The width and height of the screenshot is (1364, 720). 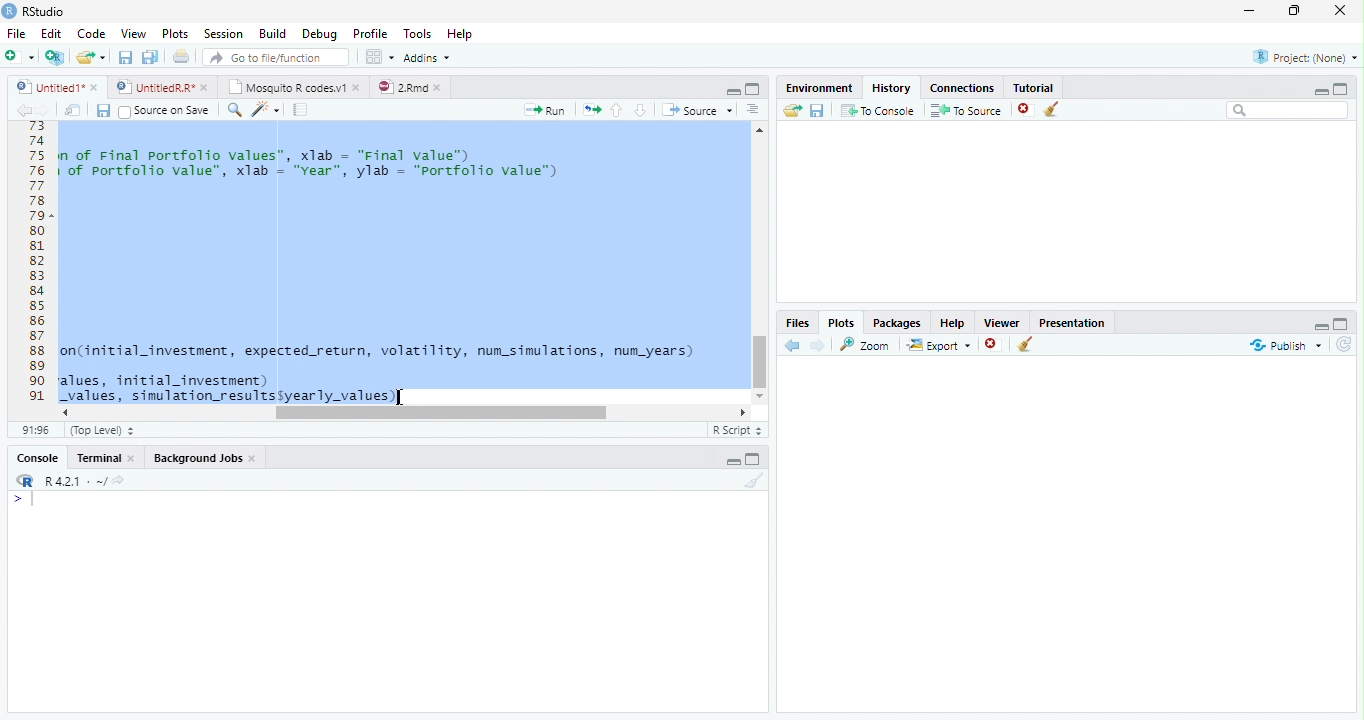 What do you see at coordinates (966, 110) in the screenshot?
I see `To Source` at bounding box center [966, 110].